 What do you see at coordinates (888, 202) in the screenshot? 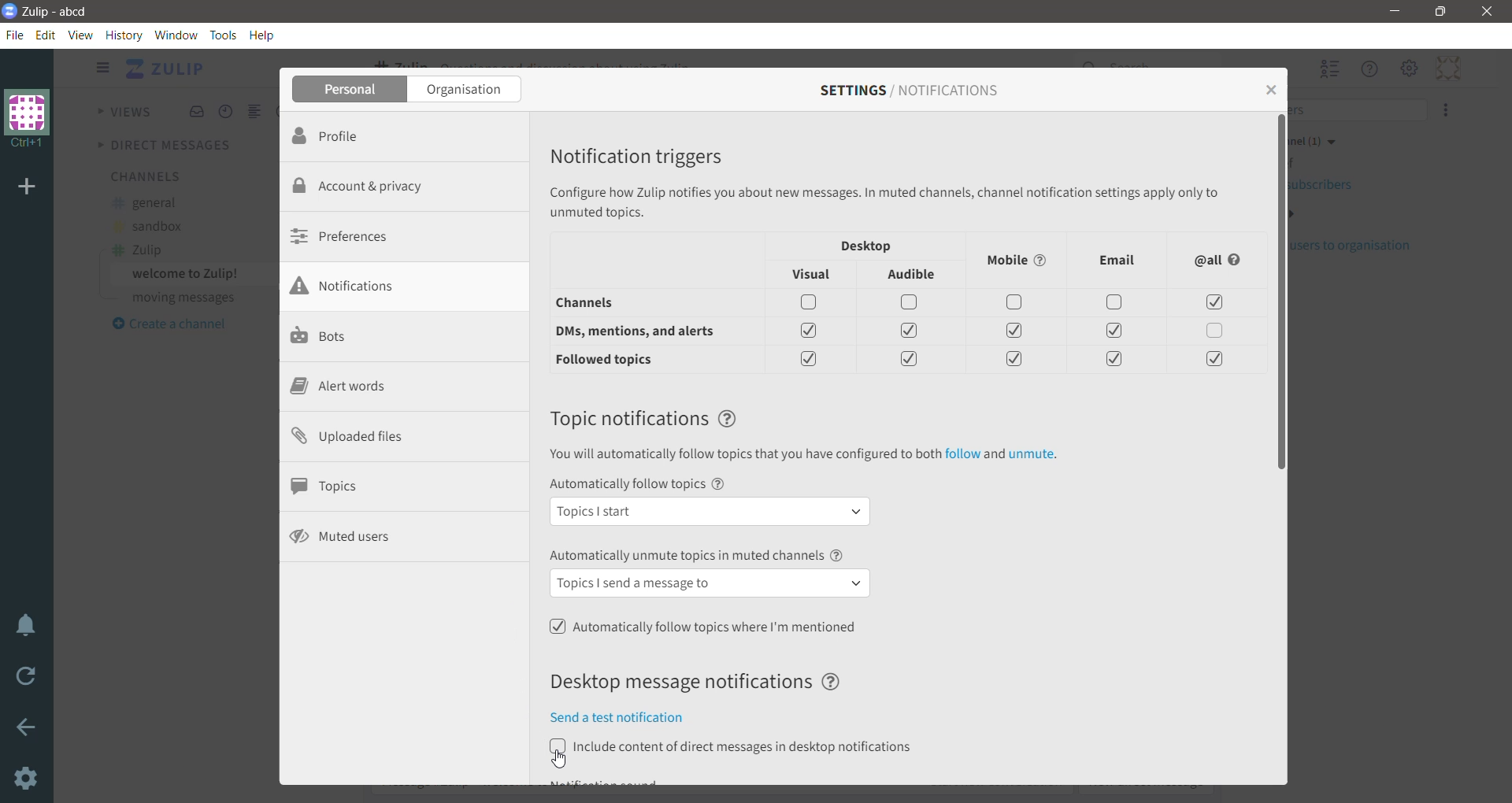
I see `Configure Zulip notifications (check boxes)` at bounding box center [888, 202].